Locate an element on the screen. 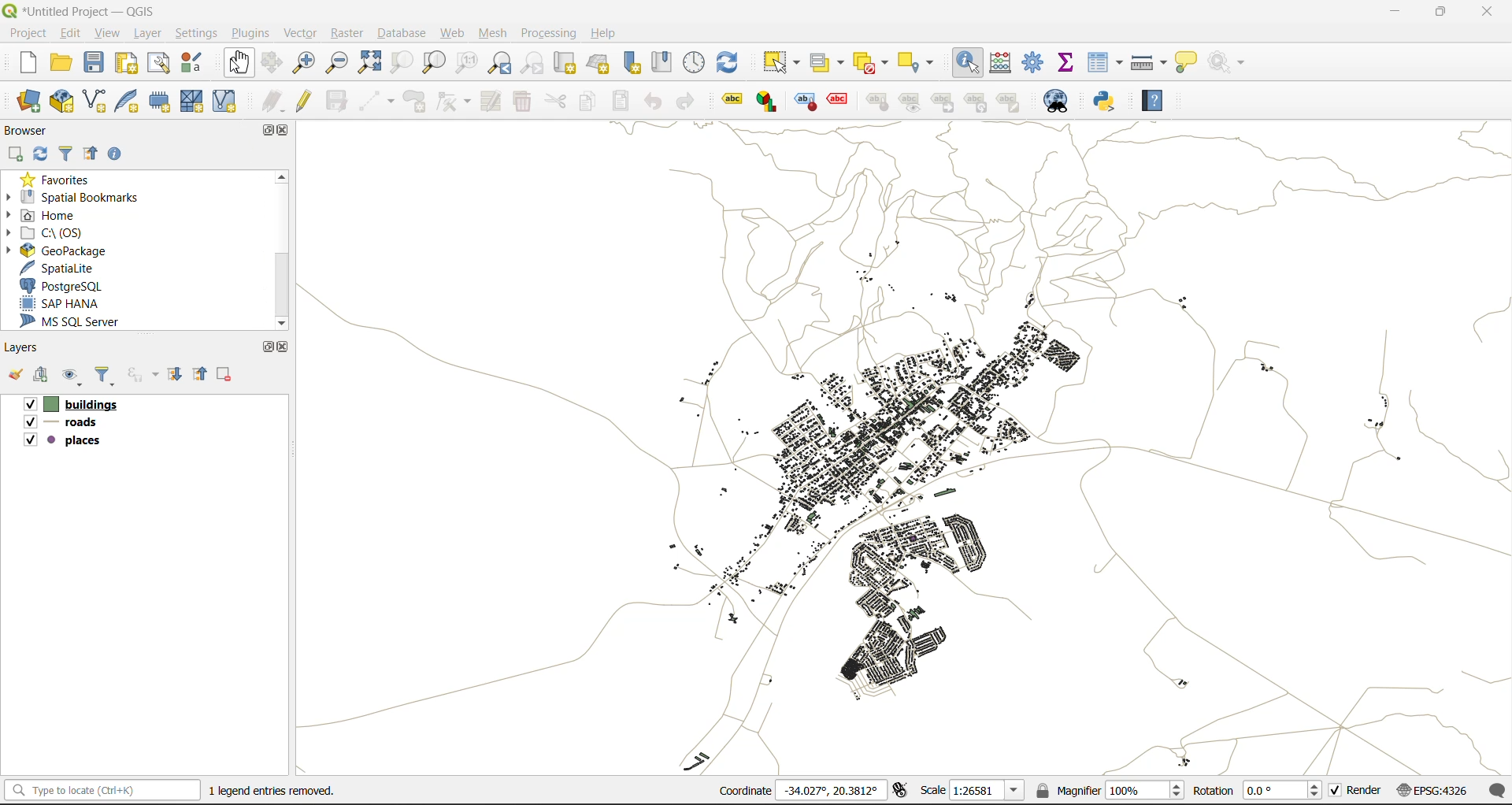  collapse all is located at coordinates (94, 152).